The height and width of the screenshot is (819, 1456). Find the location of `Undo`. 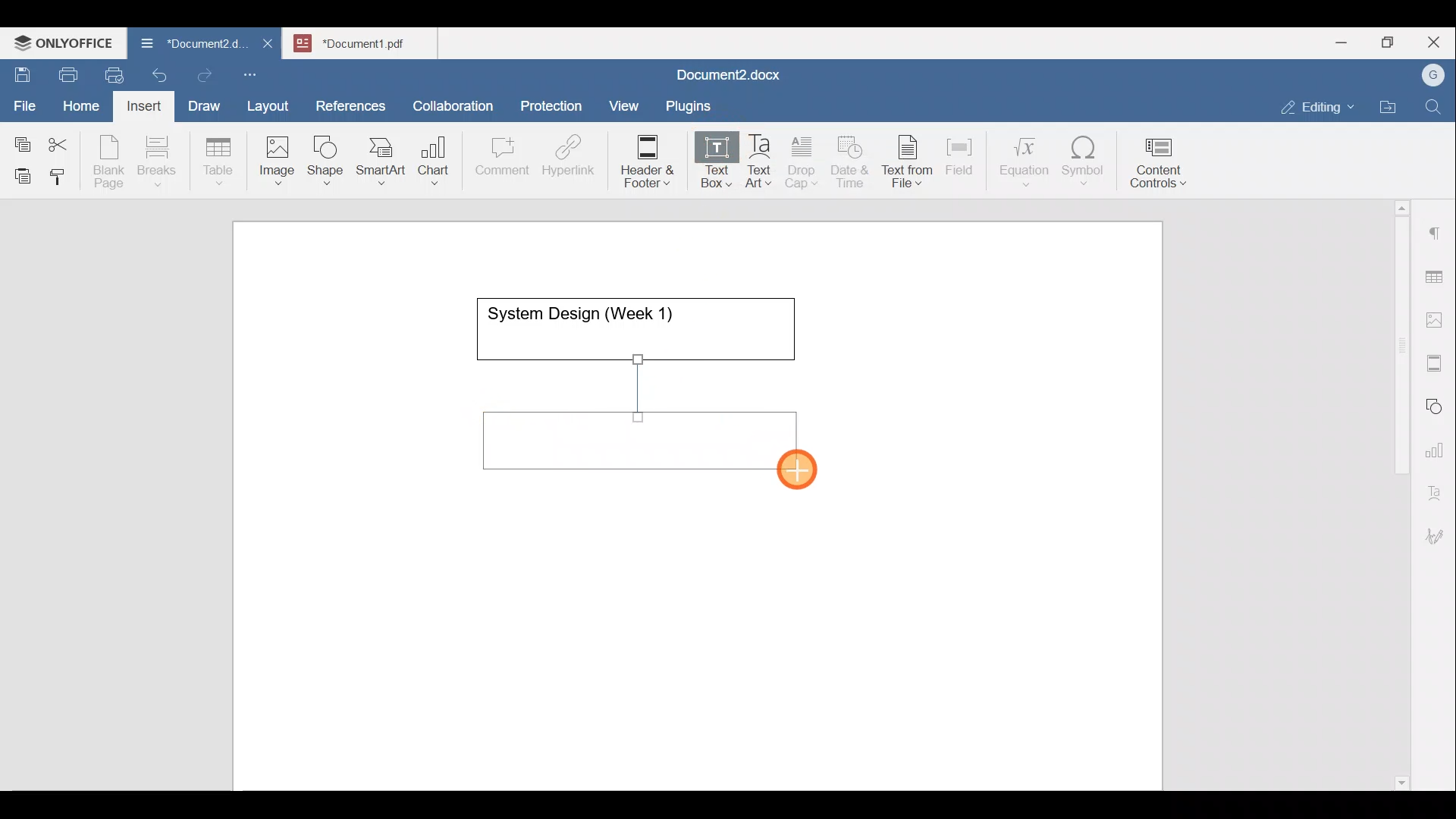

Undo is located at coordinates (156, 73).